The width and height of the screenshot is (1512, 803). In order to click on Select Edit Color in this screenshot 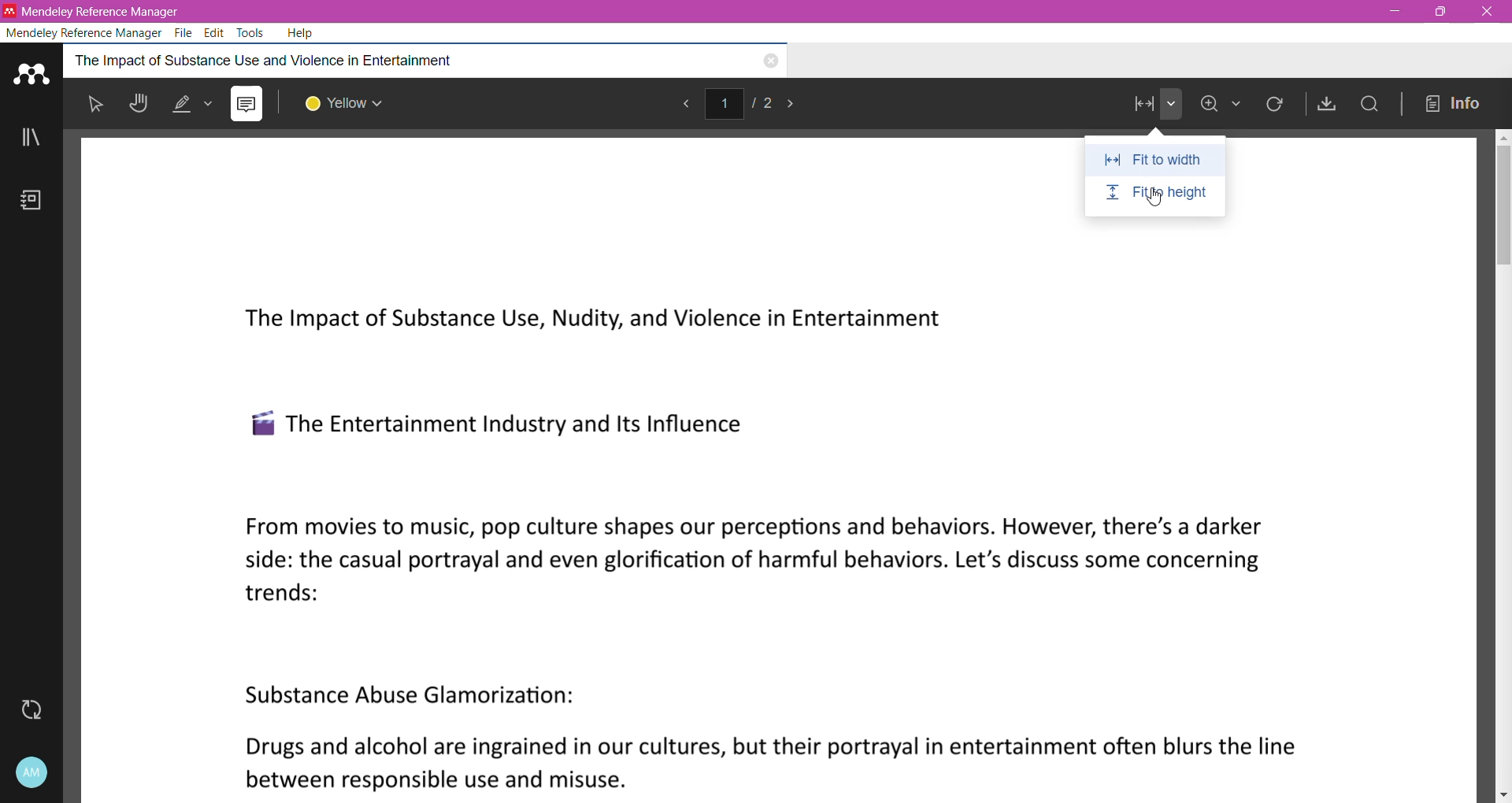, I will do `click(352, 104)`.